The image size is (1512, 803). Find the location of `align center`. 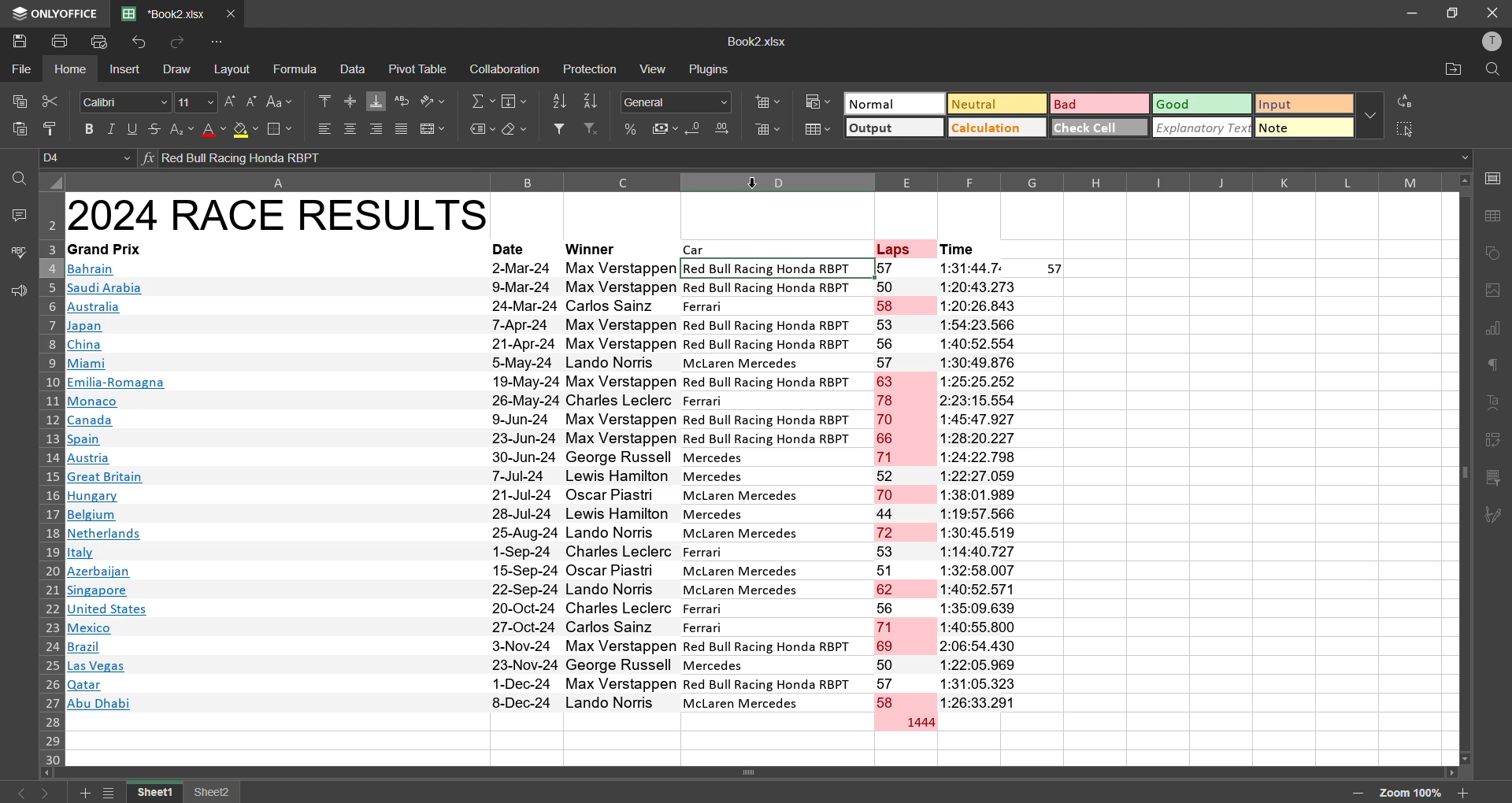

align center is located at coordinates (350, 128).